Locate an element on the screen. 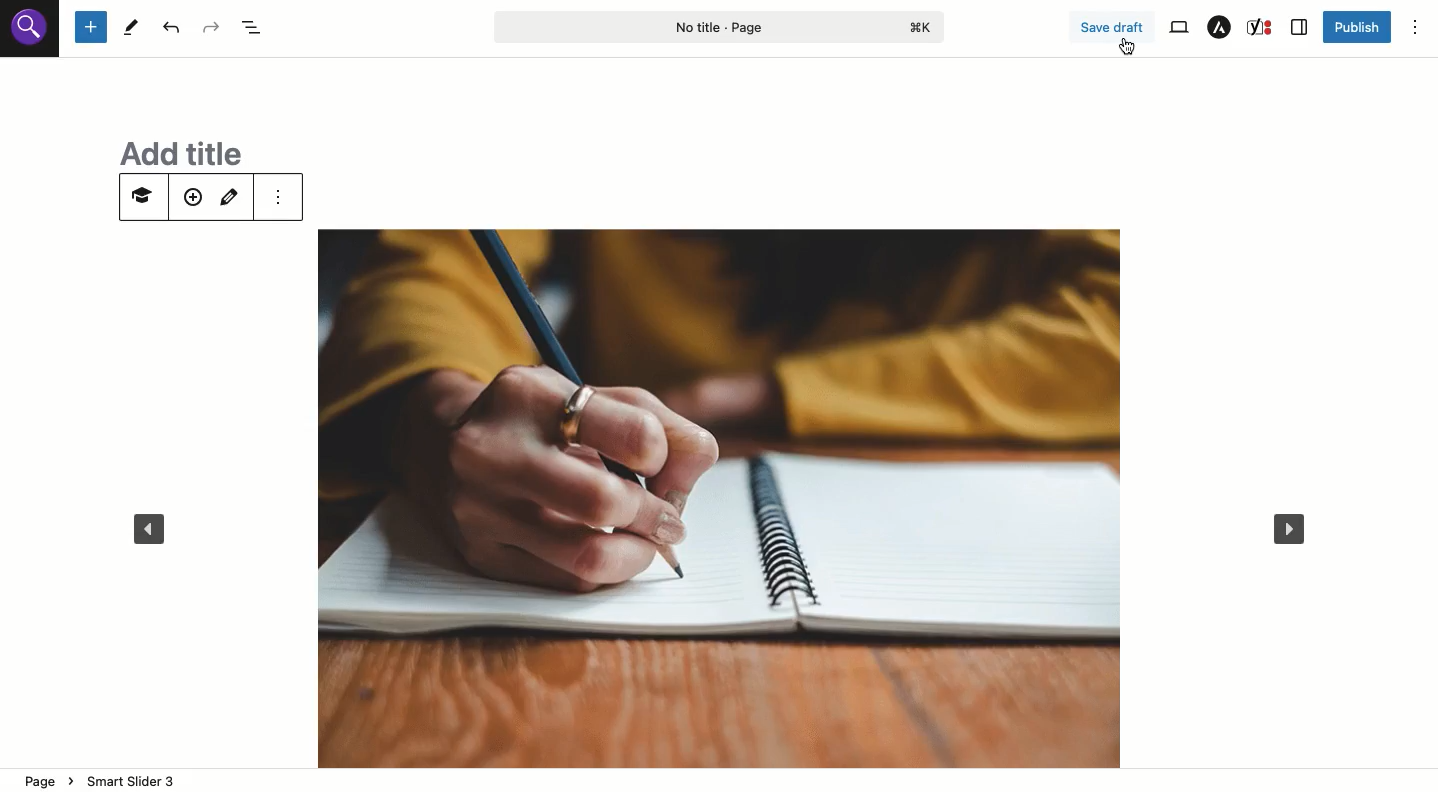 This screenshot has height=792, width=1438. smart slider 3 is located at coordinates (128, 777).